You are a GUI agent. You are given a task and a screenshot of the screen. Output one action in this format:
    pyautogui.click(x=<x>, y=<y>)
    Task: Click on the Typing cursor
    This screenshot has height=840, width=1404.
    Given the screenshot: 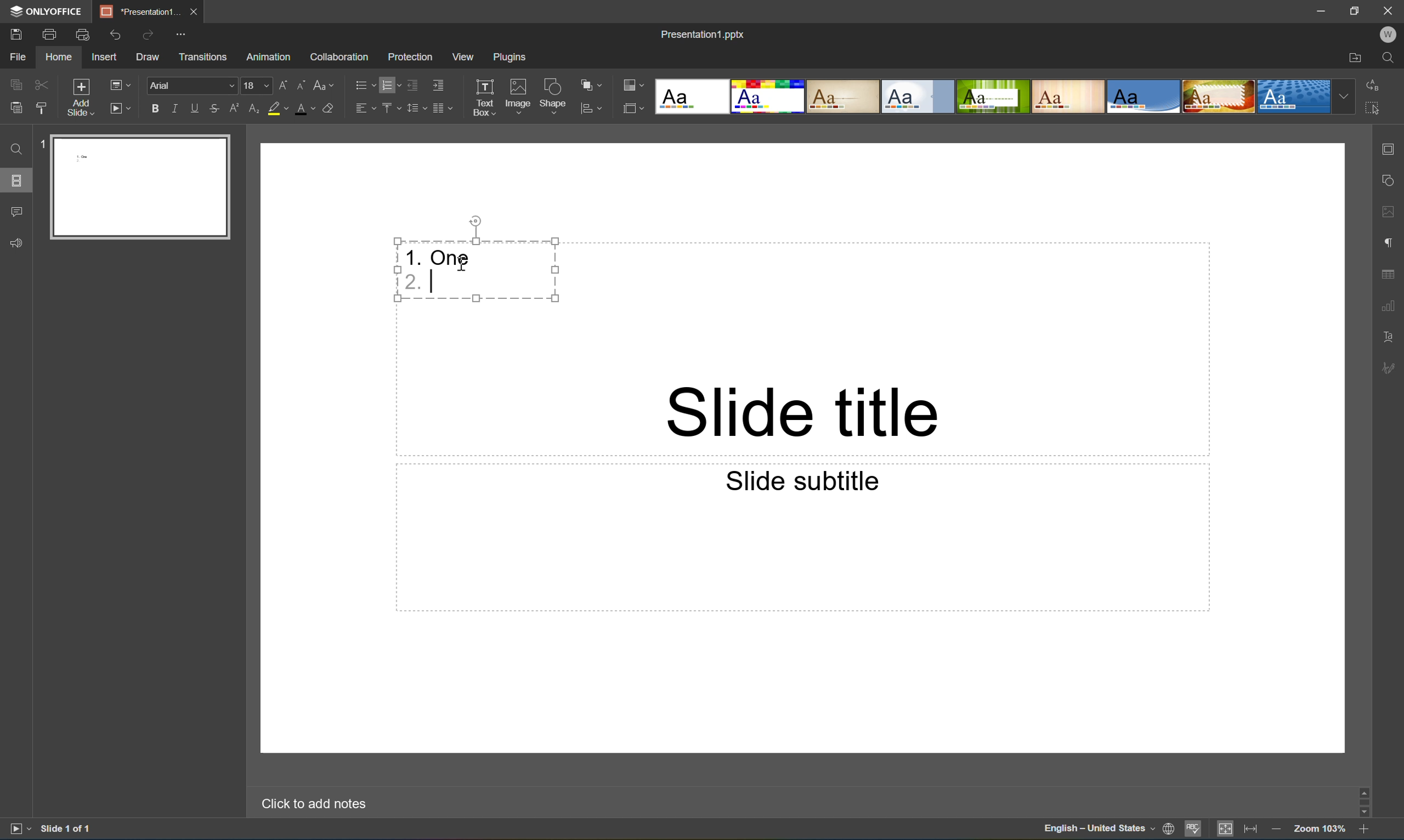 What is the action you would take?
    pyautogui.click(x=437, y=282)
    